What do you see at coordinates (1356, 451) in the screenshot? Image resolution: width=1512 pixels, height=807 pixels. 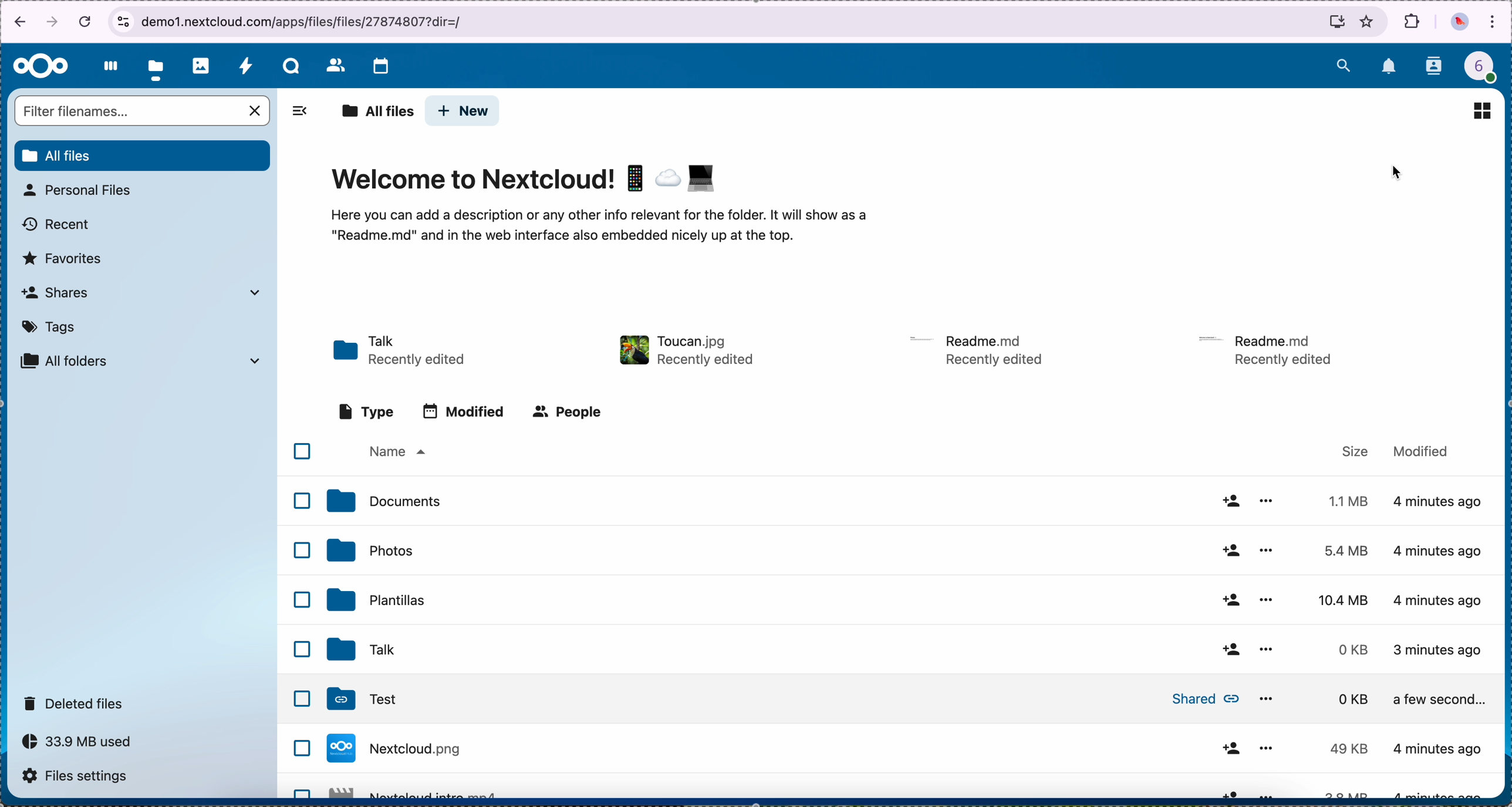 I see `size` at bounding box center [1356, 451].